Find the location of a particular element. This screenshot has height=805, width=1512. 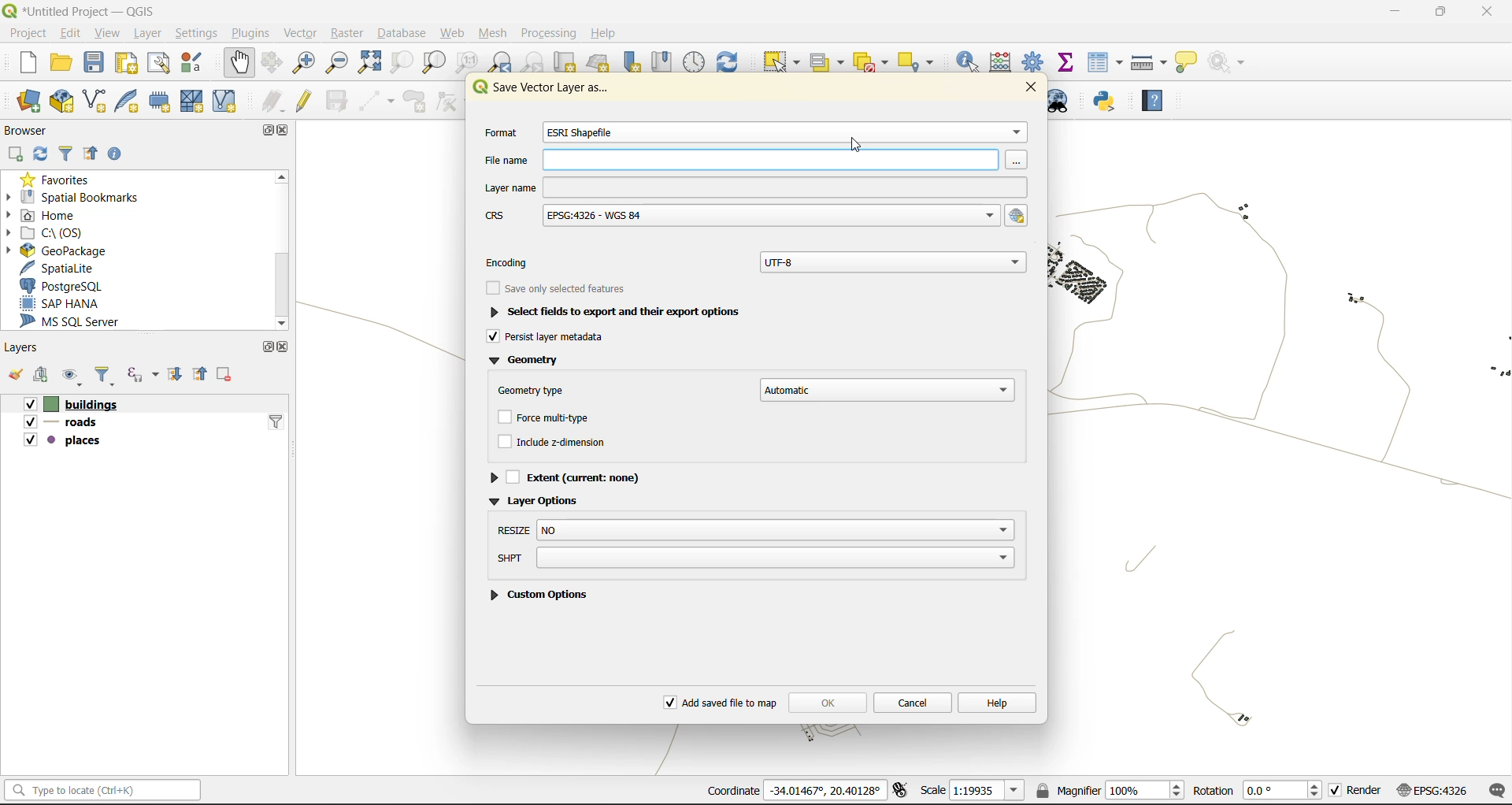

idfilter is located at coordinates (275, 421).